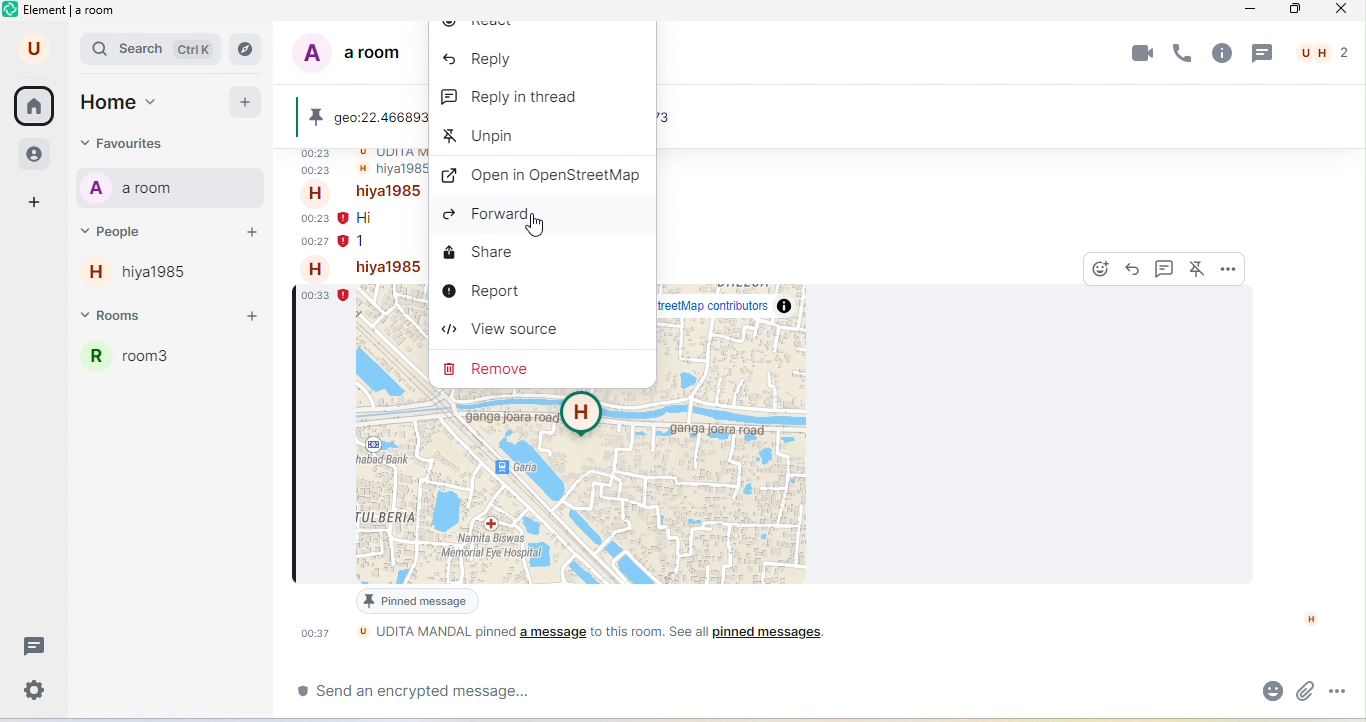 This screenshot has width=1366, height=722. I want to click on pined messege, so click(416, 603).